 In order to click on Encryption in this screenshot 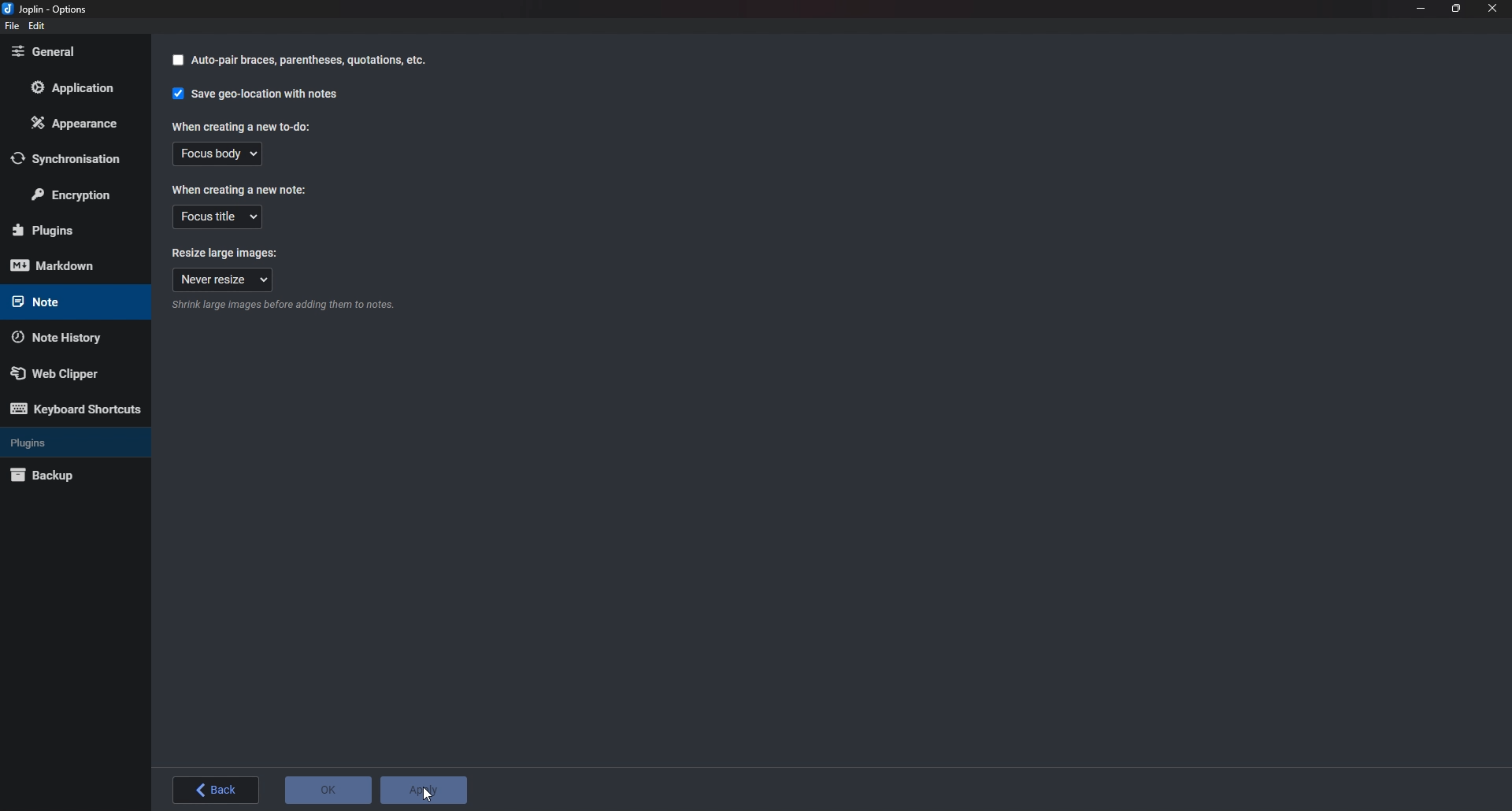, I will do `click(70, 195)`.